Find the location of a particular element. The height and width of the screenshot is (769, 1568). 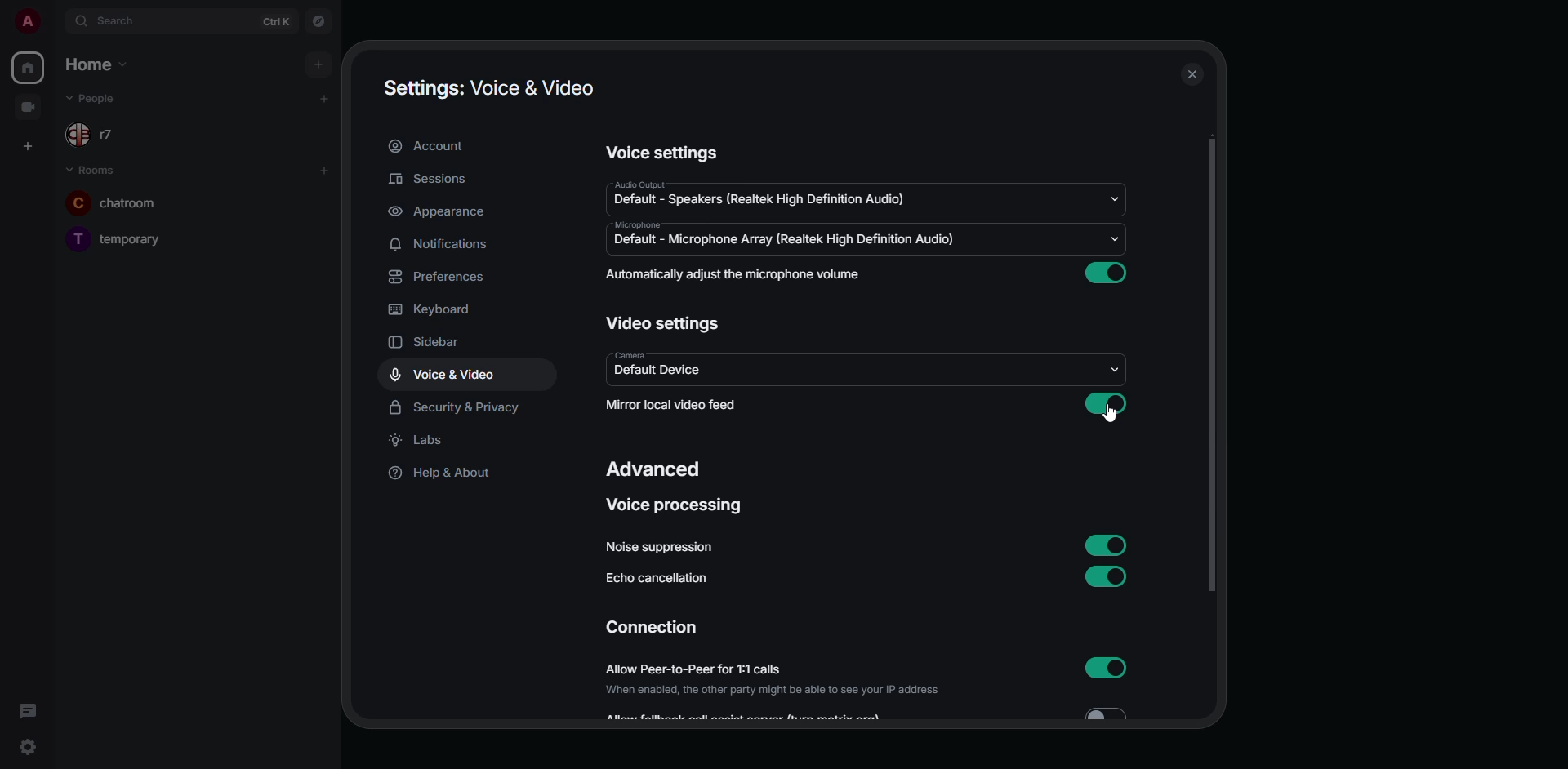

add is located at coordinates (322, 100).